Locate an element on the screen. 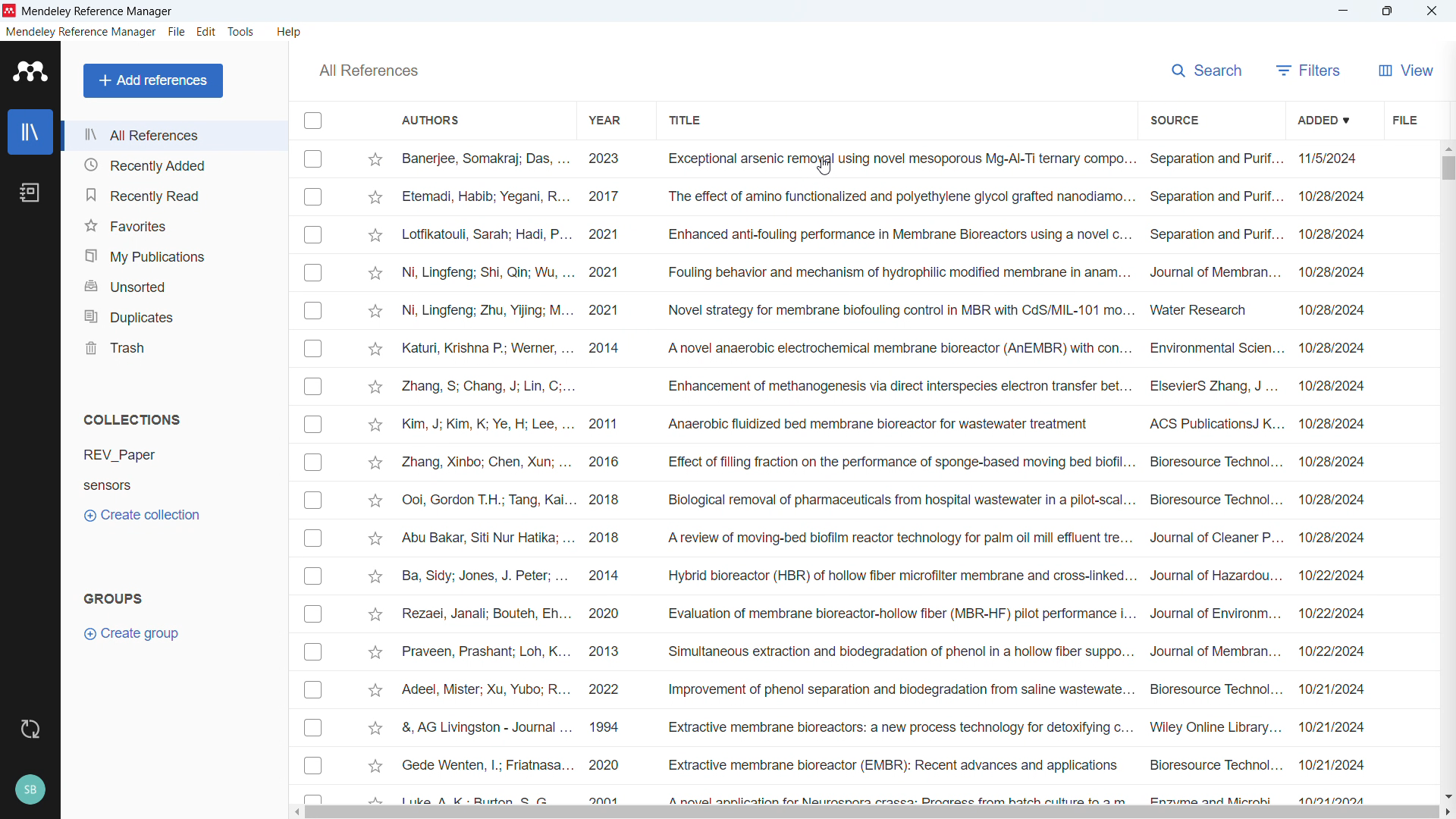 This screenshot has width=1456, height=819. click to starmark individual entries is located at coordinates (374, 275).